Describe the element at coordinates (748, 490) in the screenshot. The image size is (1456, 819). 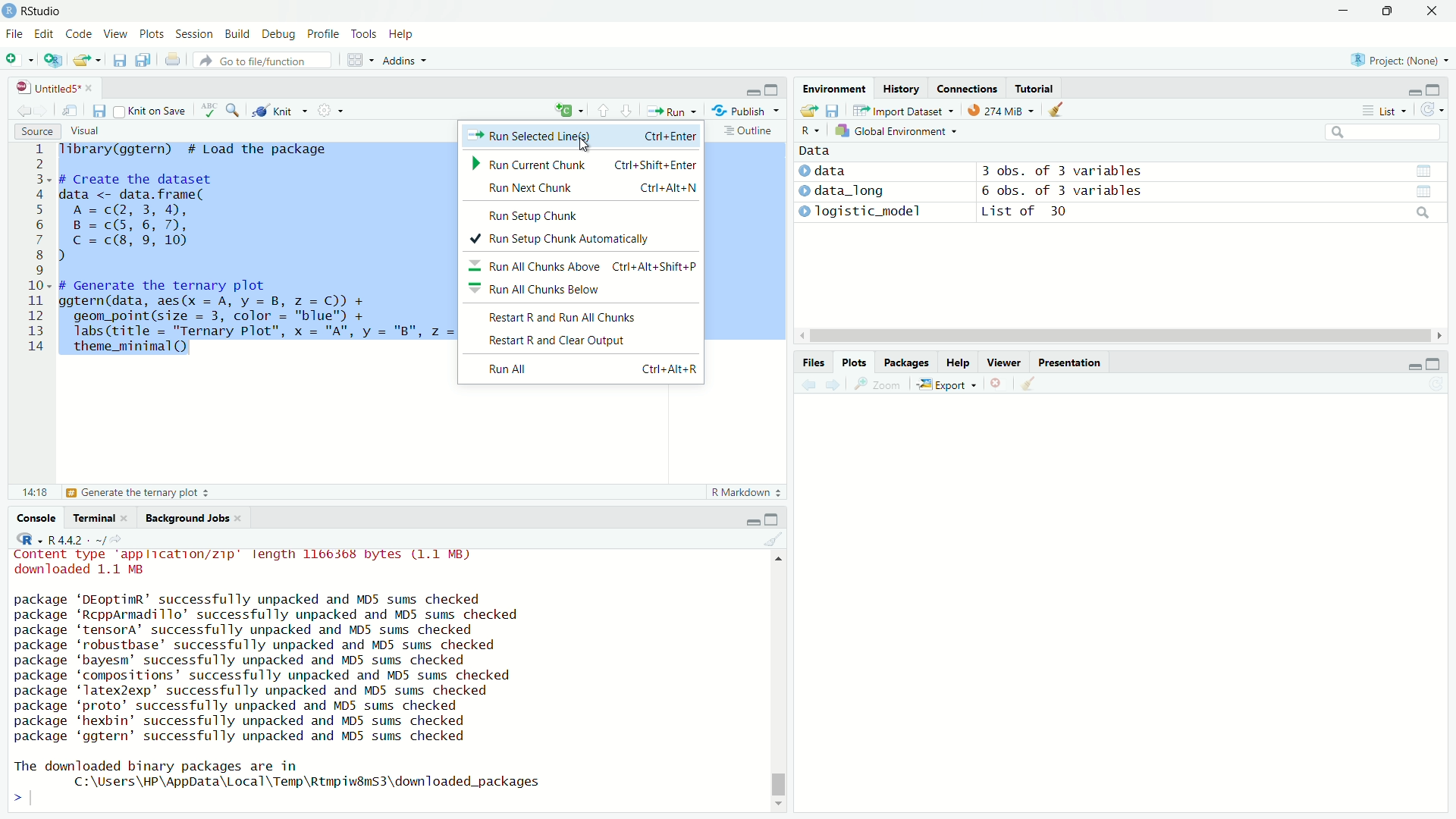
I see `R Markdown *` at that location.